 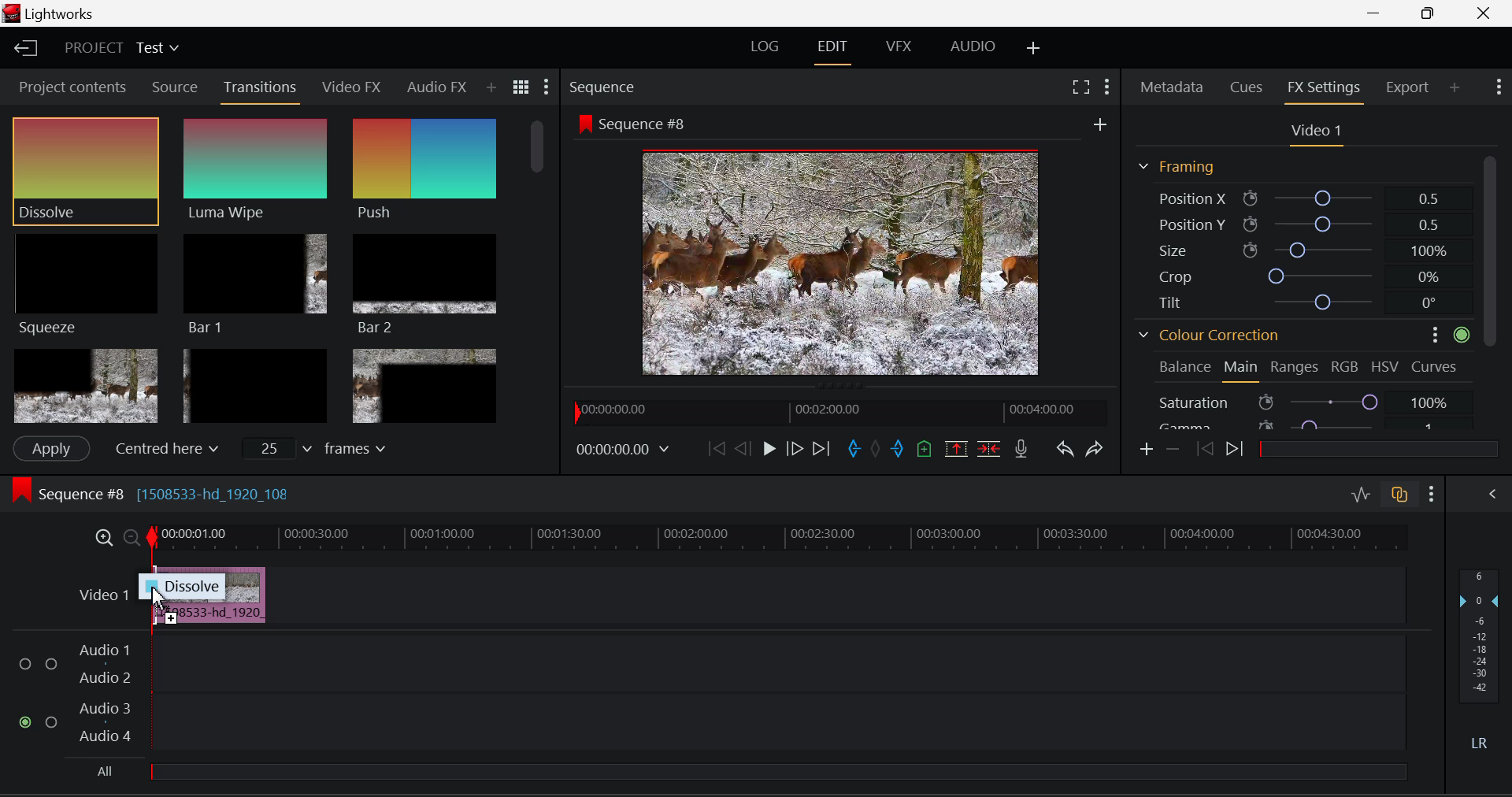 What do you see at coordinates (1171, 451) in the screenshot?
I see `Remove keyframe` at bounding box center [1171, 451].